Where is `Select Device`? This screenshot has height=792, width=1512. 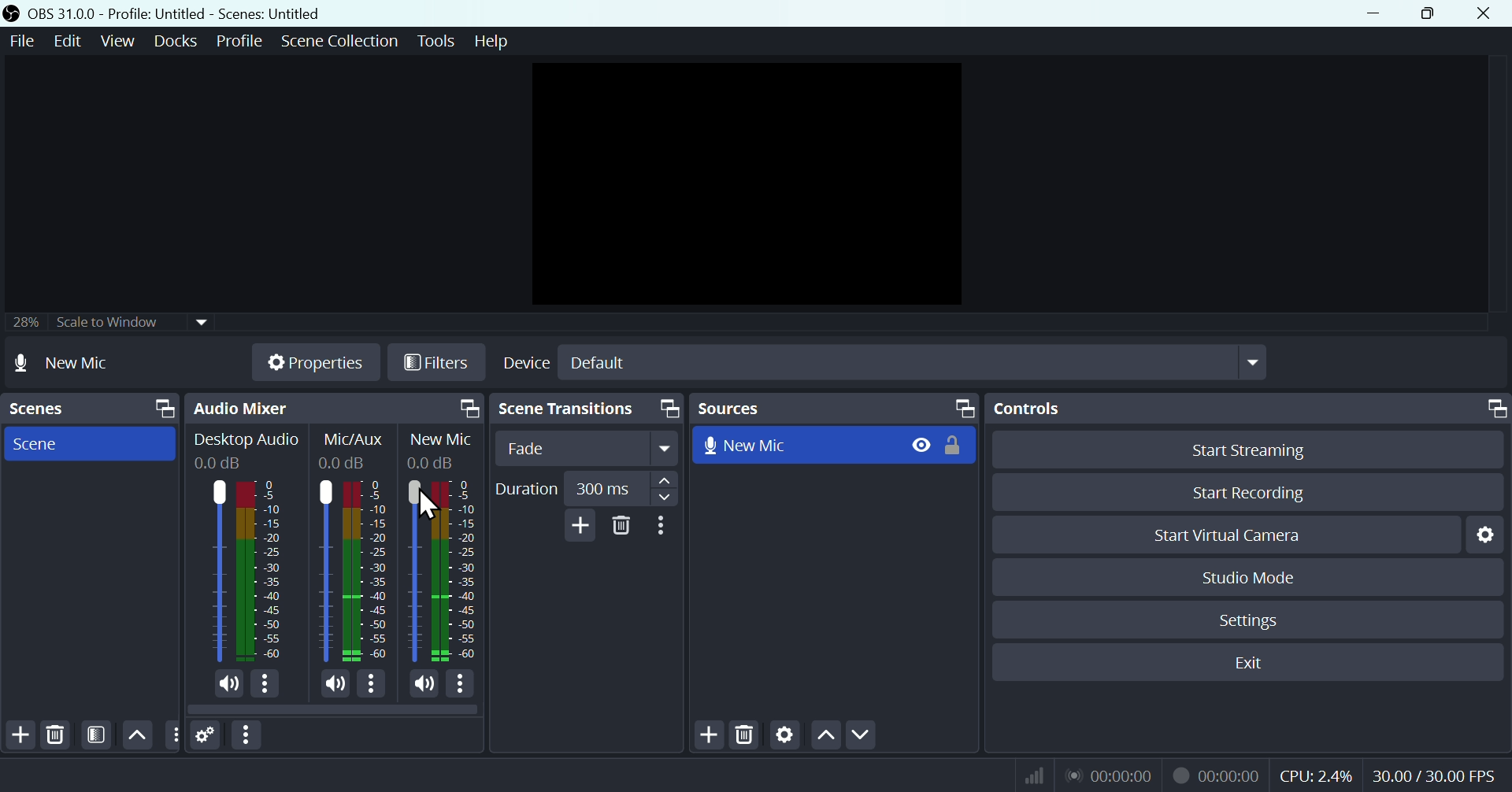
Select Device is located at coordinates (882, 362).